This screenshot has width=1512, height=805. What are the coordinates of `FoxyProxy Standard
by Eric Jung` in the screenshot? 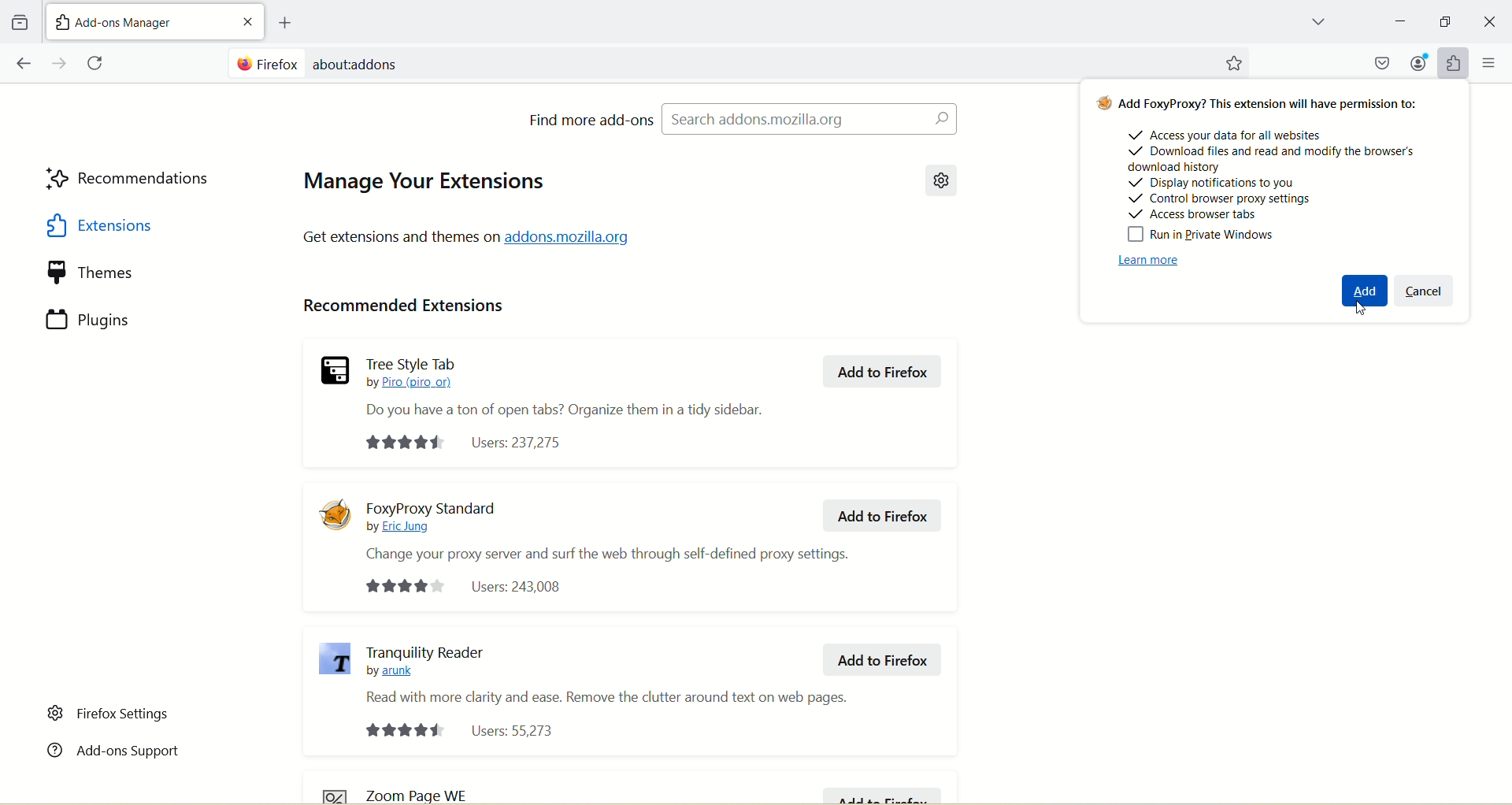 It's located at (433, 517).